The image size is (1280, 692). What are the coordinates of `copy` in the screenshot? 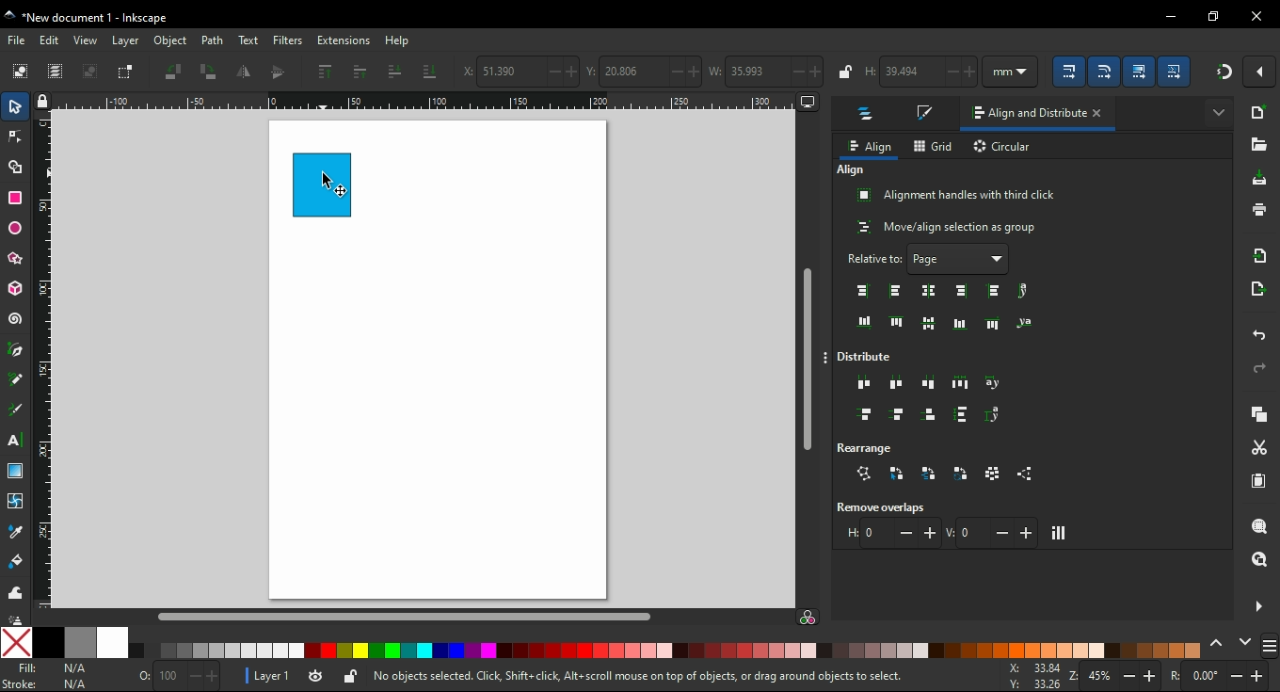 It's located at (1261, 414).